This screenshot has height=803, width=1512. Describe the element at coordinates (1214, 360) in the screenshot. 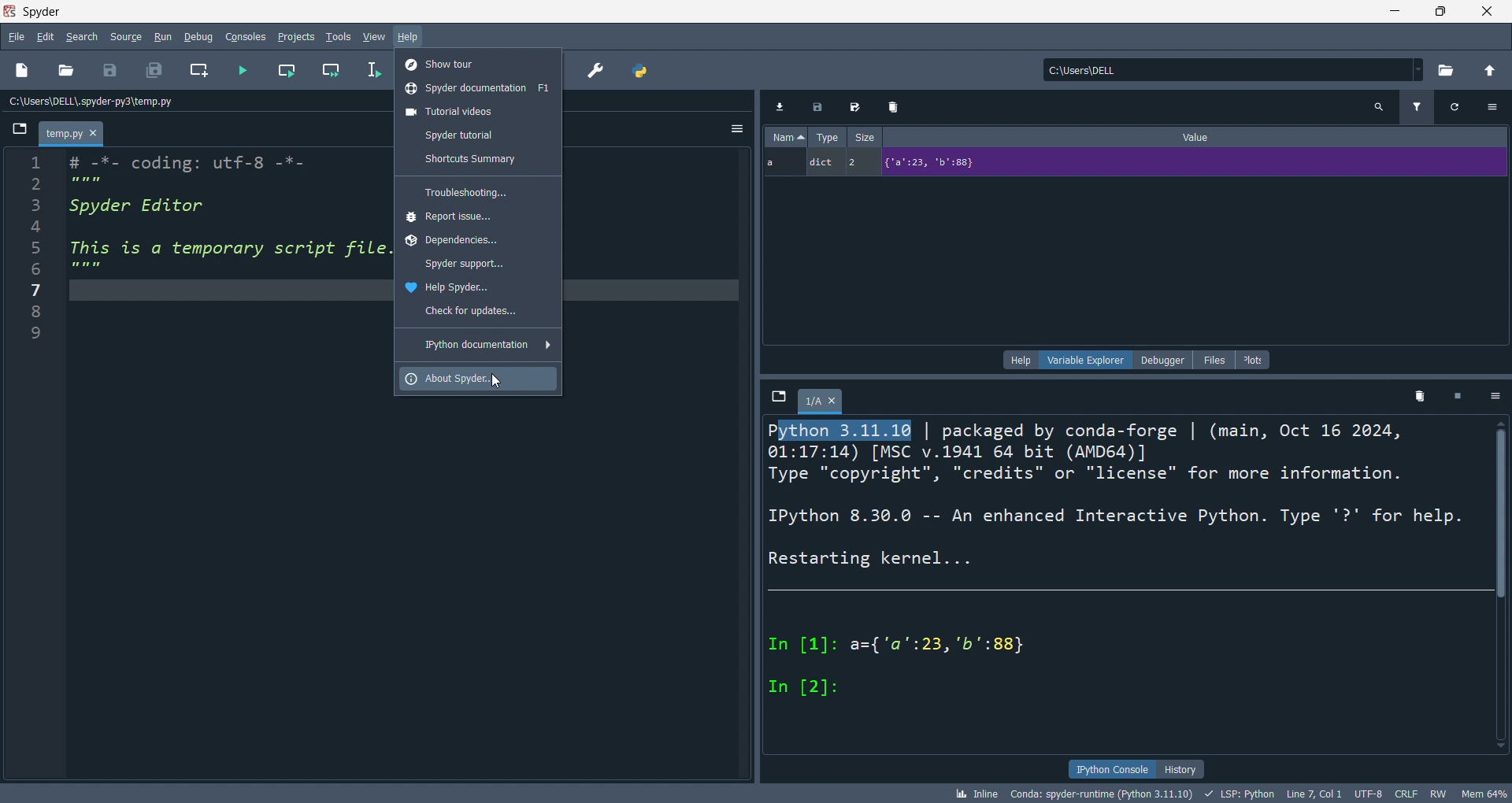

I see `files` at that location.